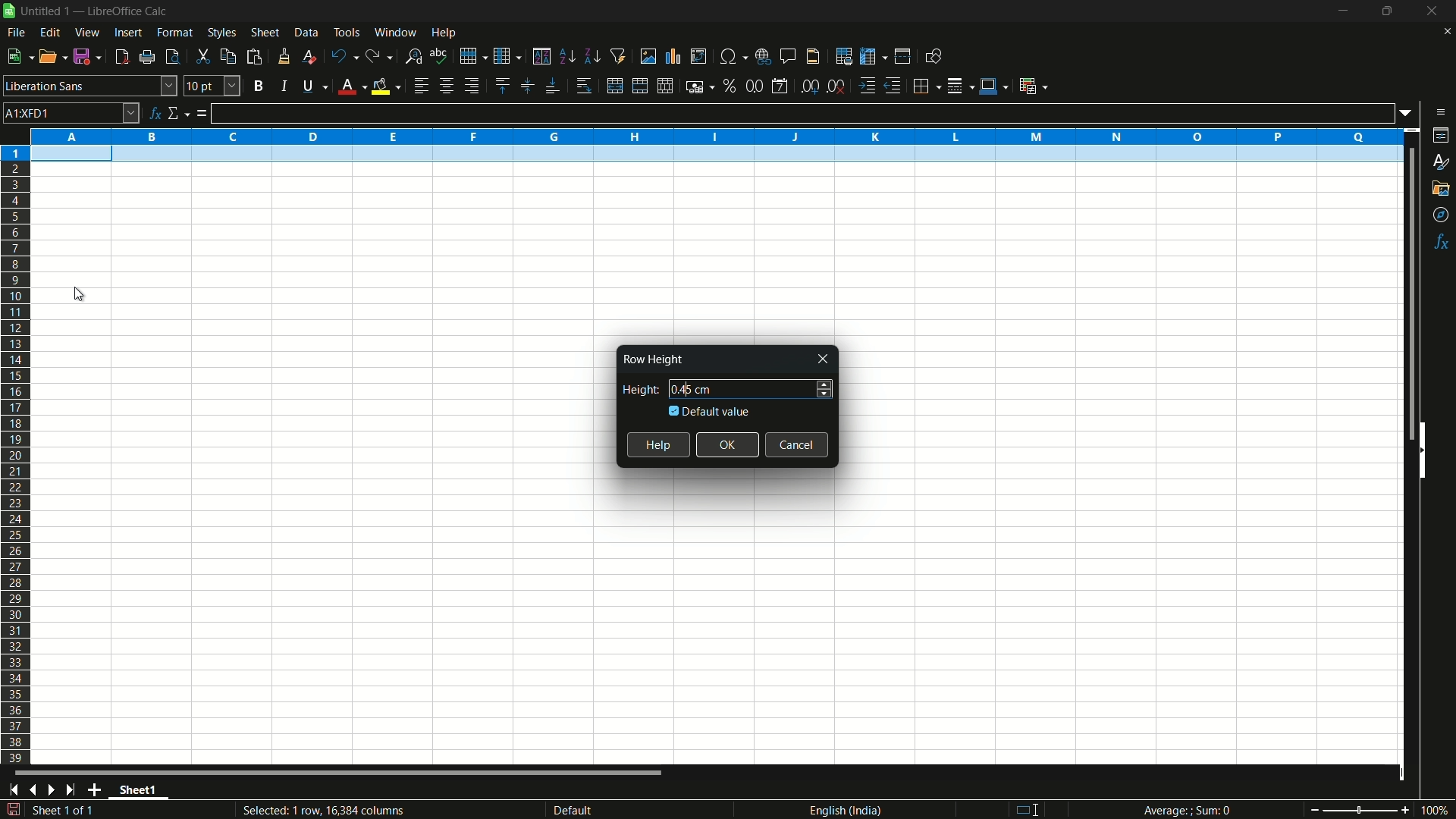 The width and height of the screenshot is (1456, 819). I want to click on format as percent, so click(730, 85).